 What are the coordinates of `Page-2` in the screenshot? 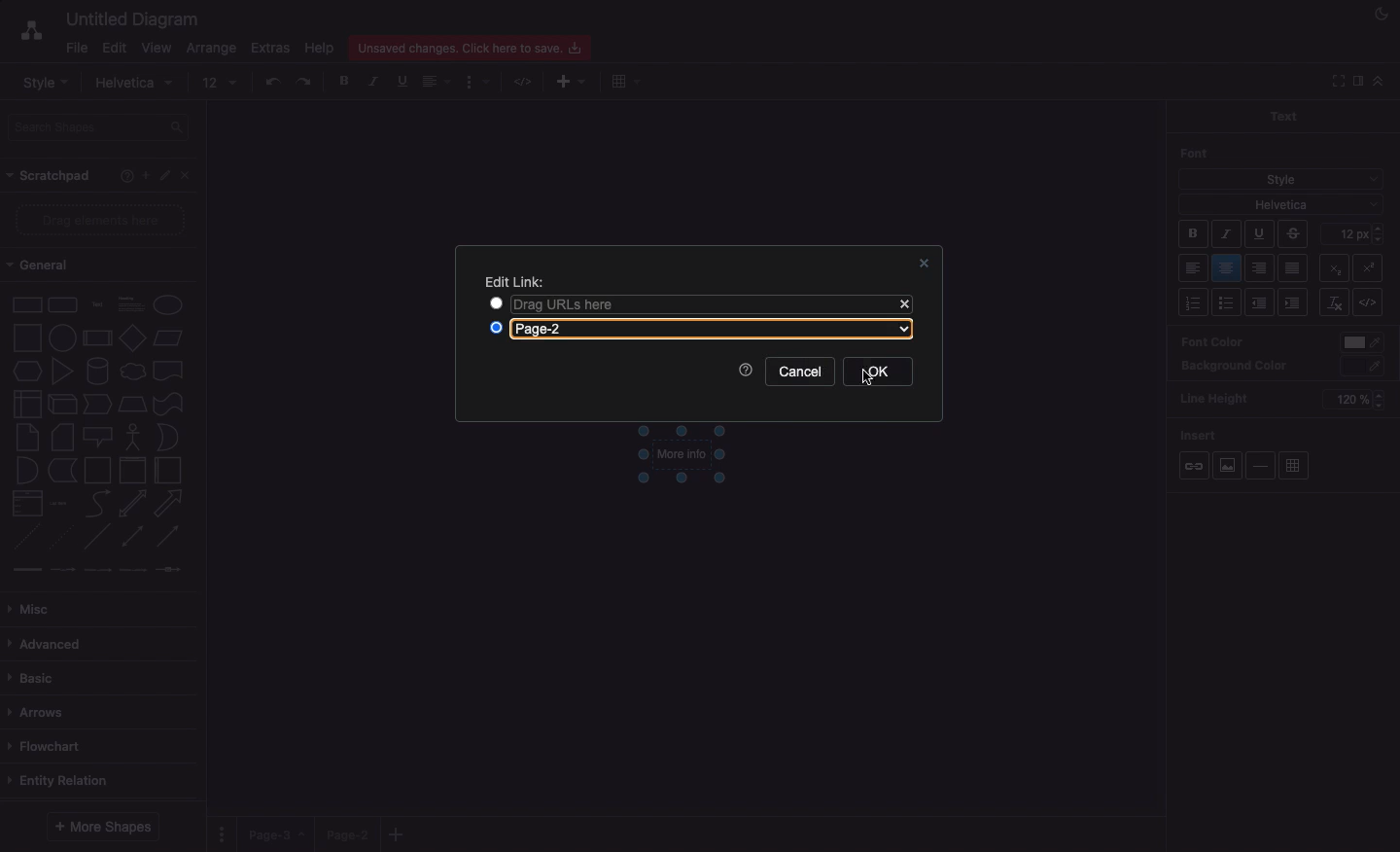 It's located at (717, 330).